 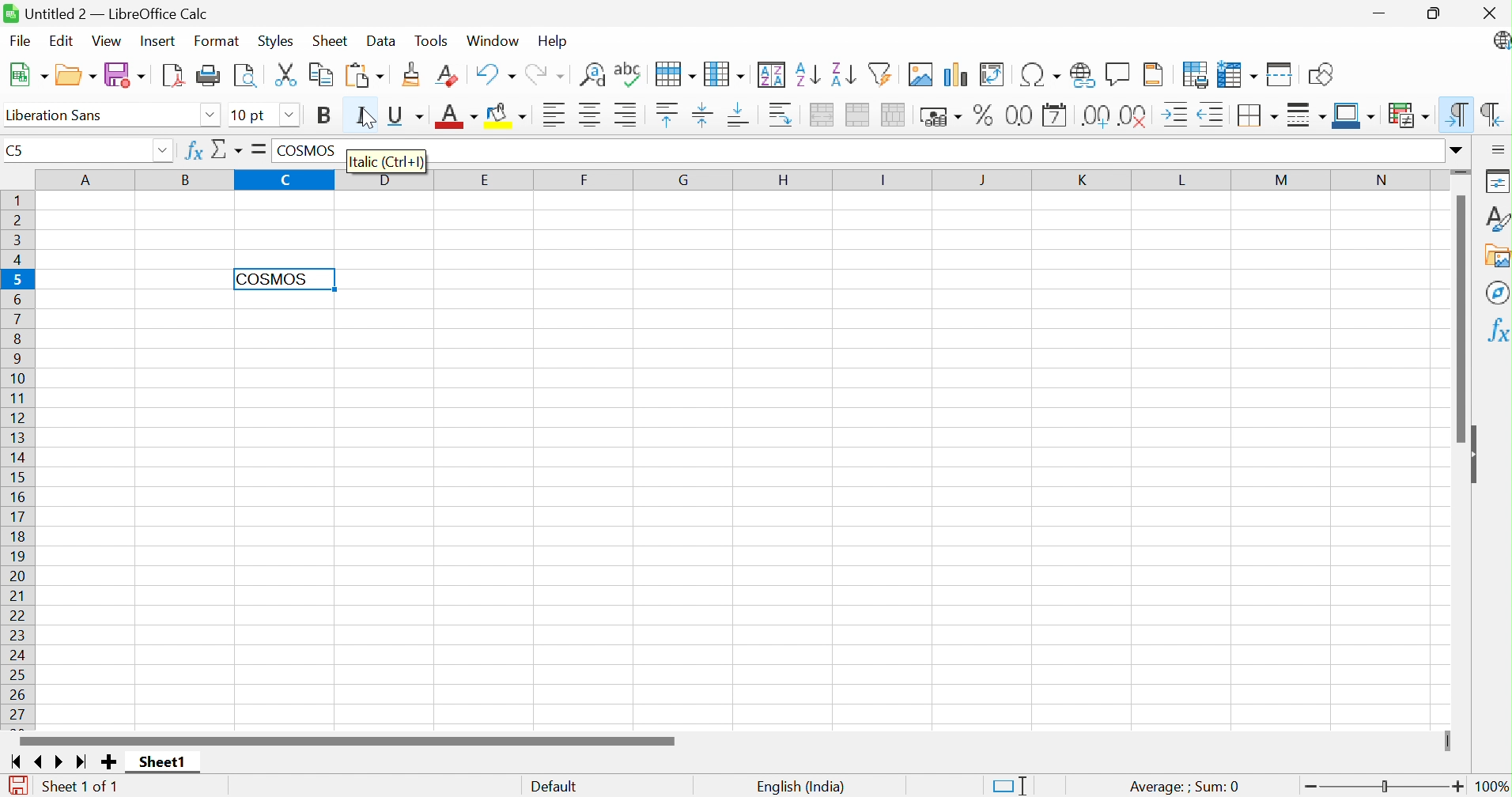 I want to click on Sort descending, so click(x=843, y=74).